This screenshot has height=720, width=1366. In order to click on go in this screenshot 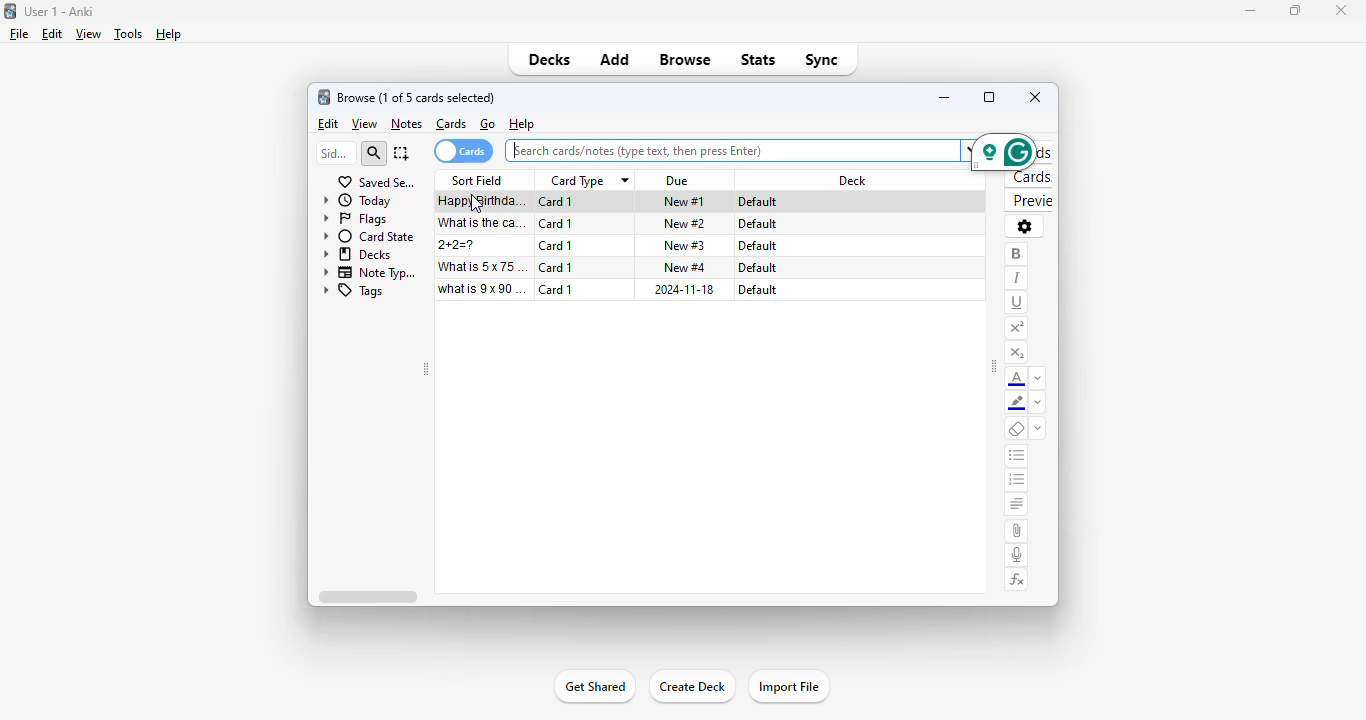, I will do `click(488, 124)`.